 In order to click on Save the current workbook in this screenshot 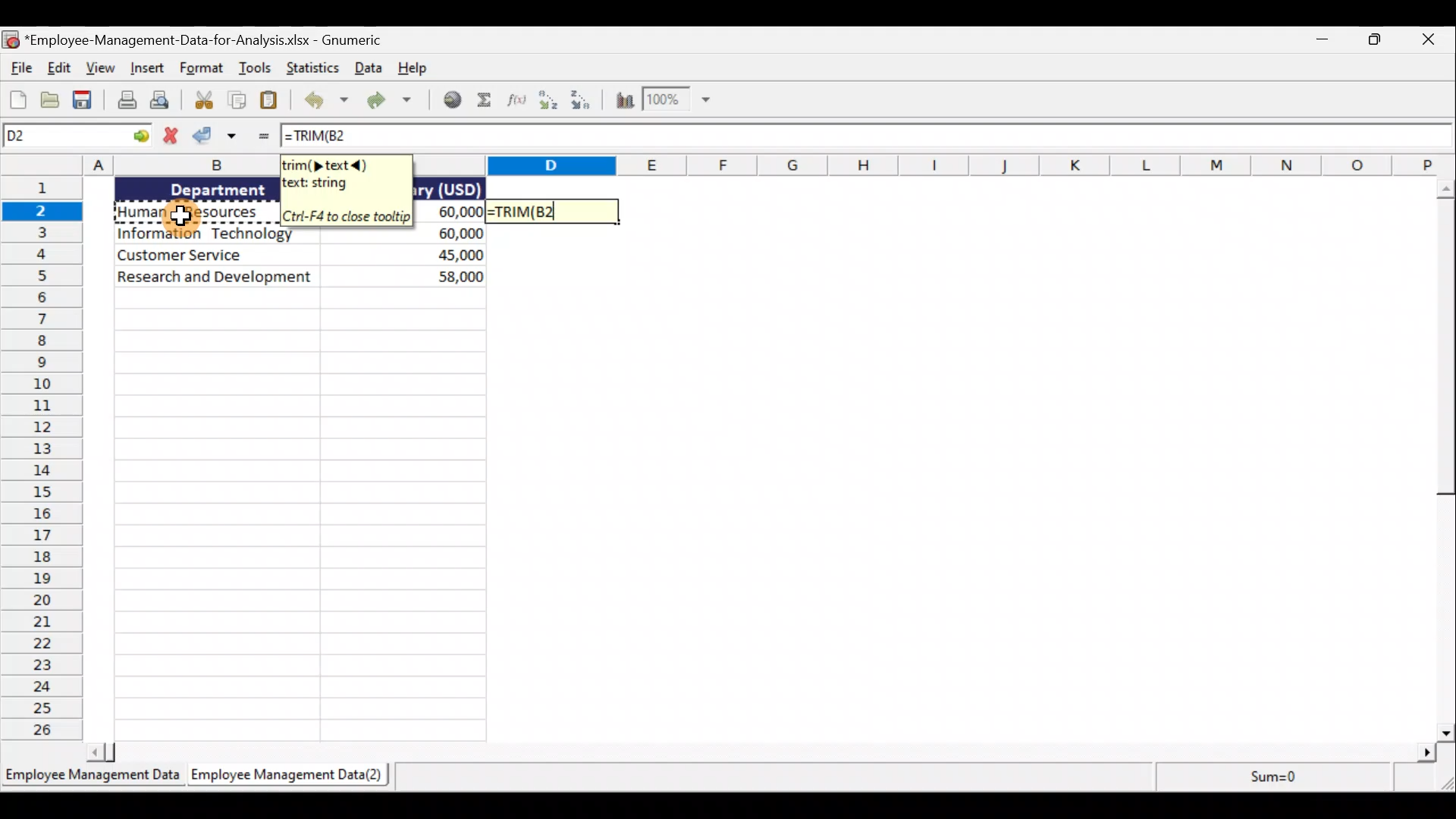, I will do `click(83, 100)`.